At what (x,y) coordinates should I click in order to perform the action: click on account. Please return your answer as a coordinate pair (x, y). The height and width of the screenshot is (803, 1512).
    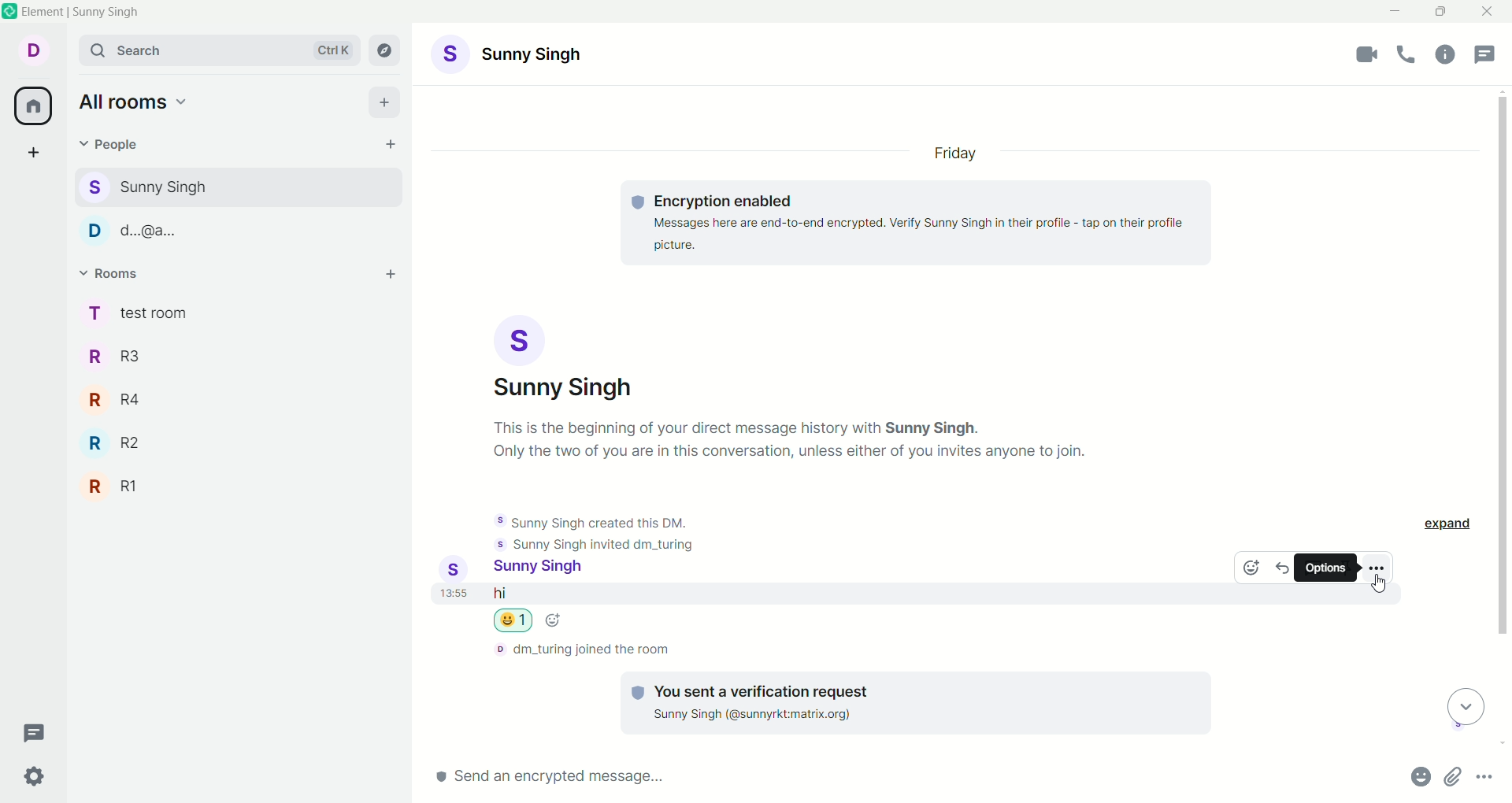
    Looking at the image, I should click on (558, 358).